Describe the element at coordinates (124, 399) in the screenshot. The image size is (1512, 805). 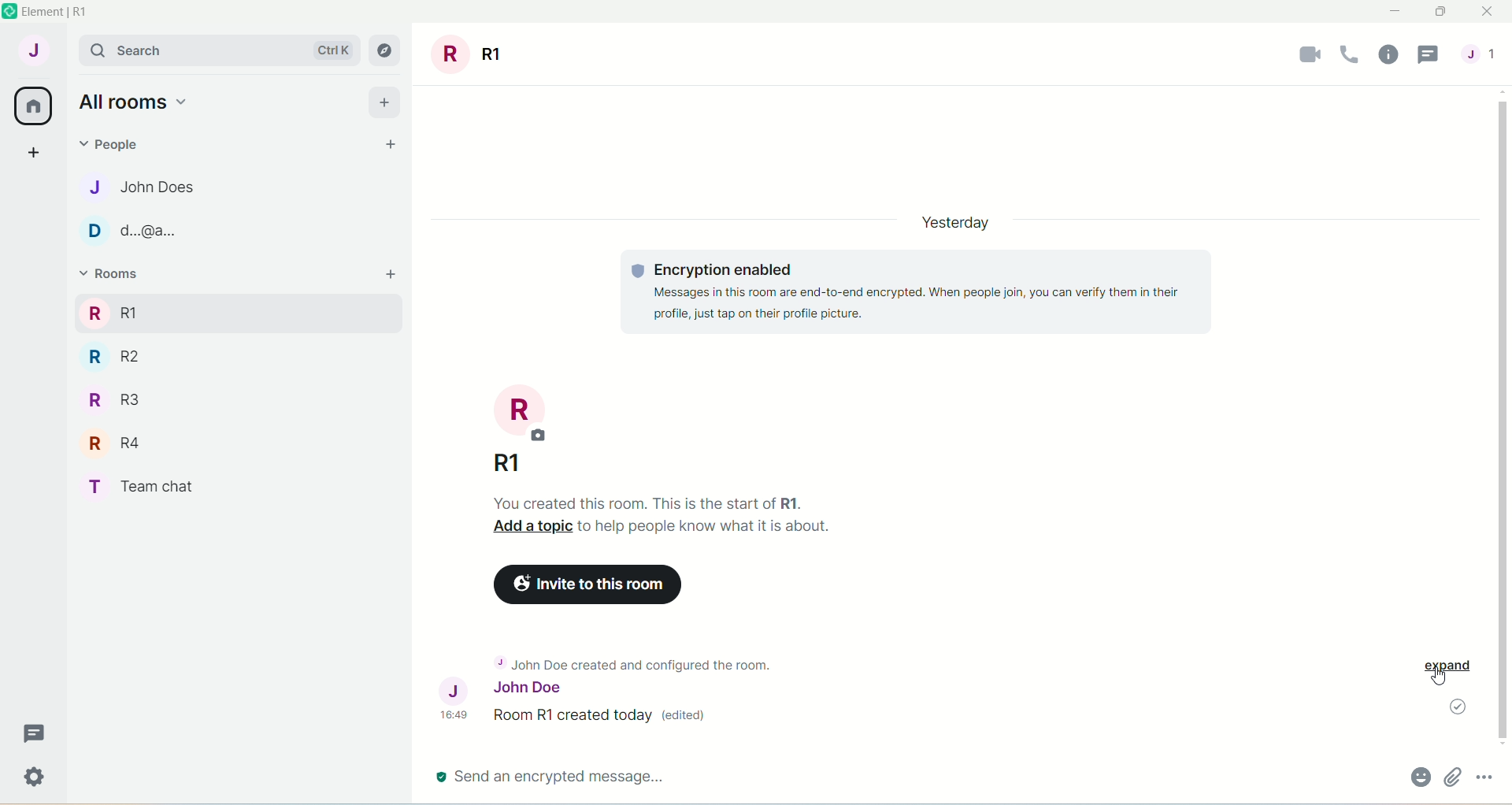
I see `R3` at that location.